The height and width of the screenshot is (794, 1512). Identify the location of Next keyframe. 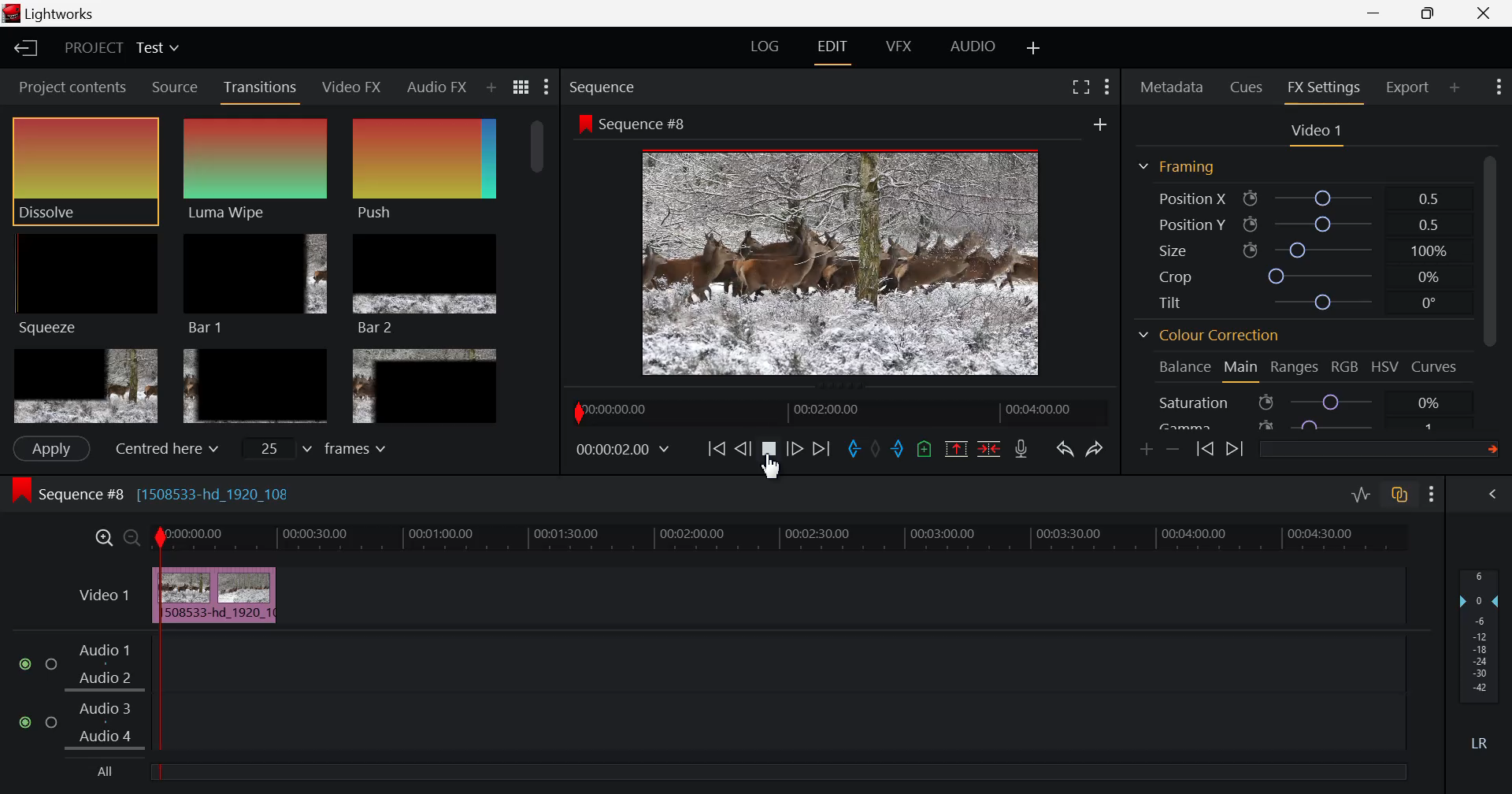
(1235, 451).